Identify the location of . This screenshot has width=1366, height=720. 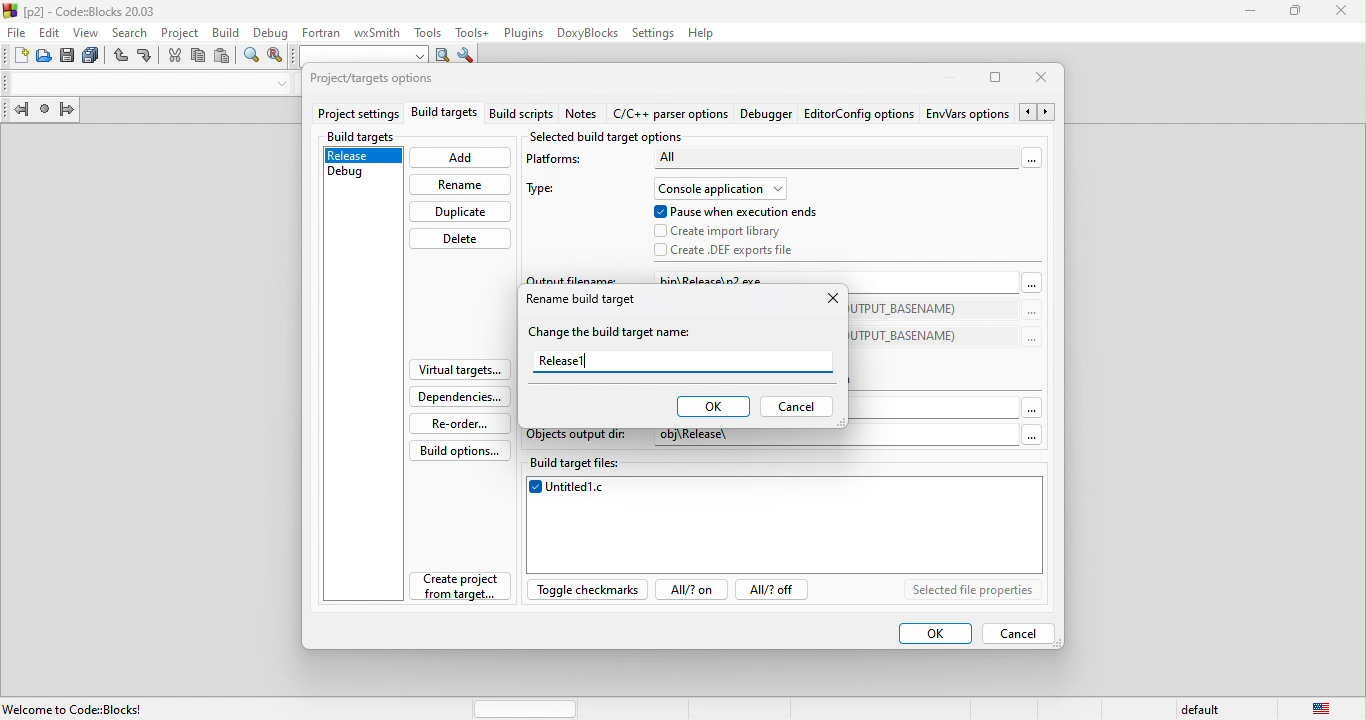
(1026, 434).